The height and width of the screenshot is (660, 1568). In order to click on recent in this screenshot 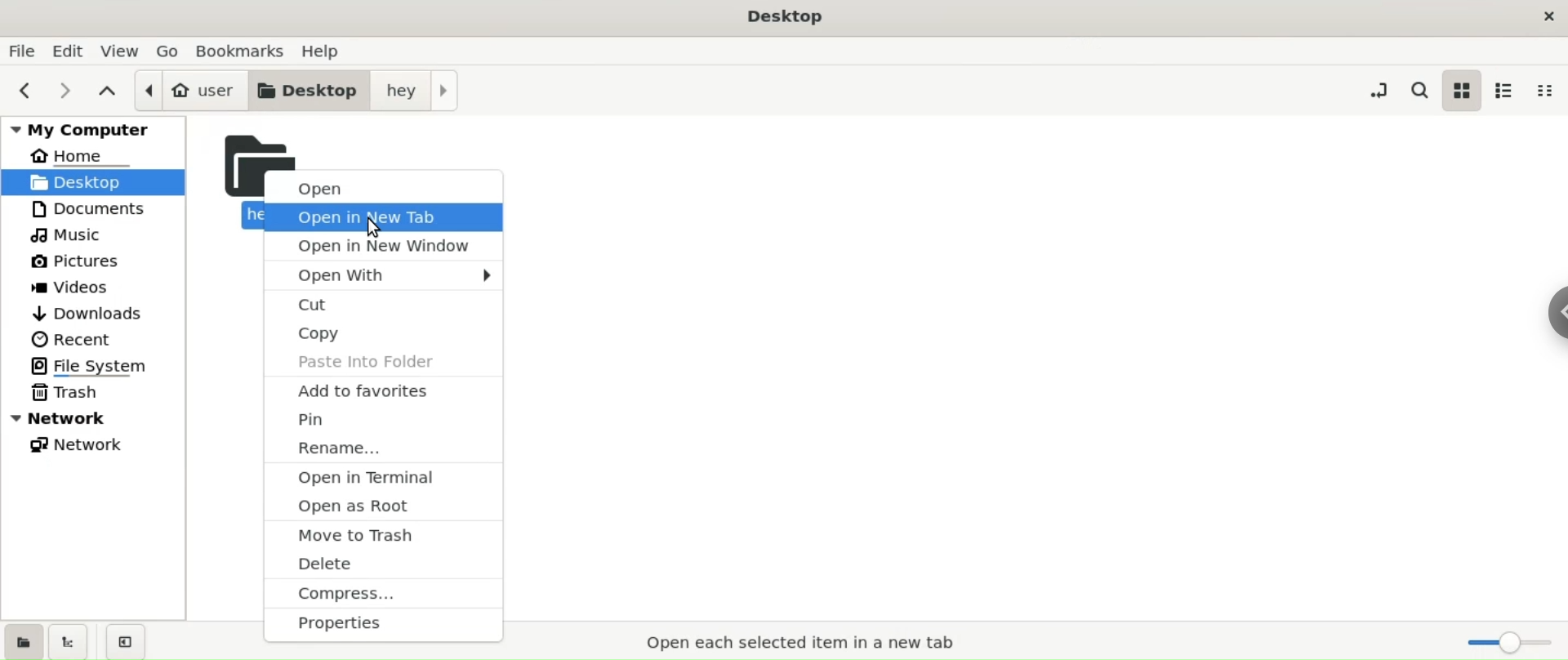, I will do `click(96, 341)`.